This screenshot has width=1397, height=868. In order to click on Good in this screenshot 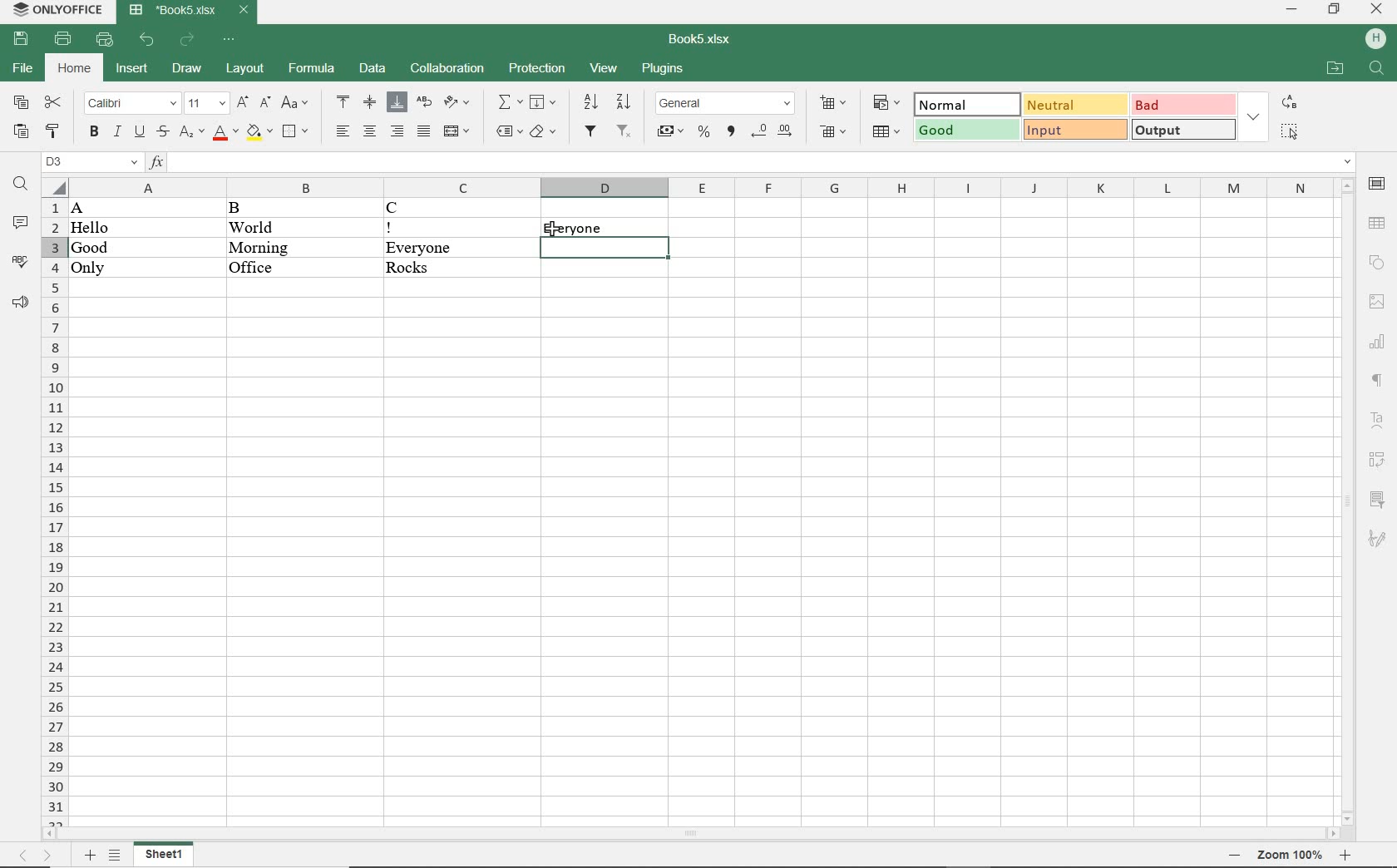, I will do `click(90, 248)`.